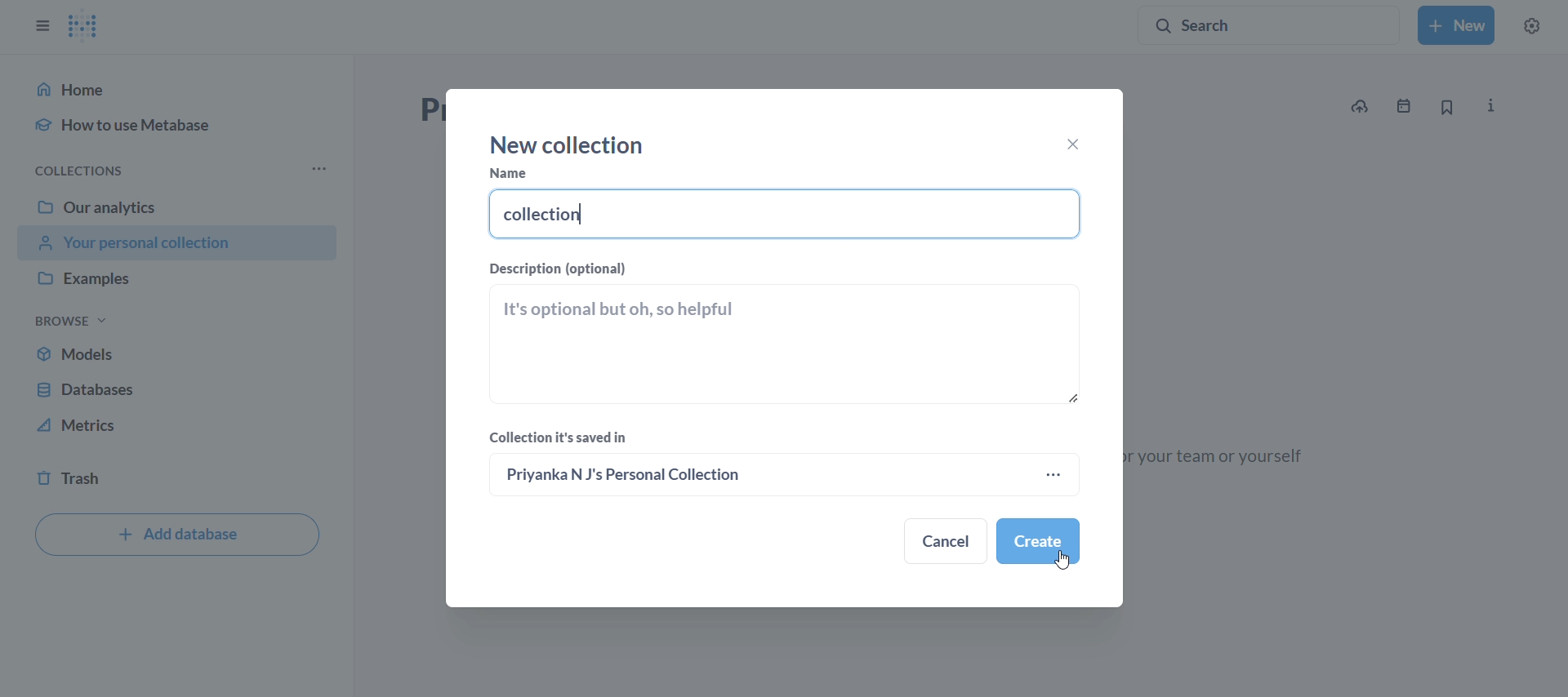 This screenshot has height=697, width=1568. Describe the element at coordinates (947, 542) in the screenshot. I see `Cancel` at that location.